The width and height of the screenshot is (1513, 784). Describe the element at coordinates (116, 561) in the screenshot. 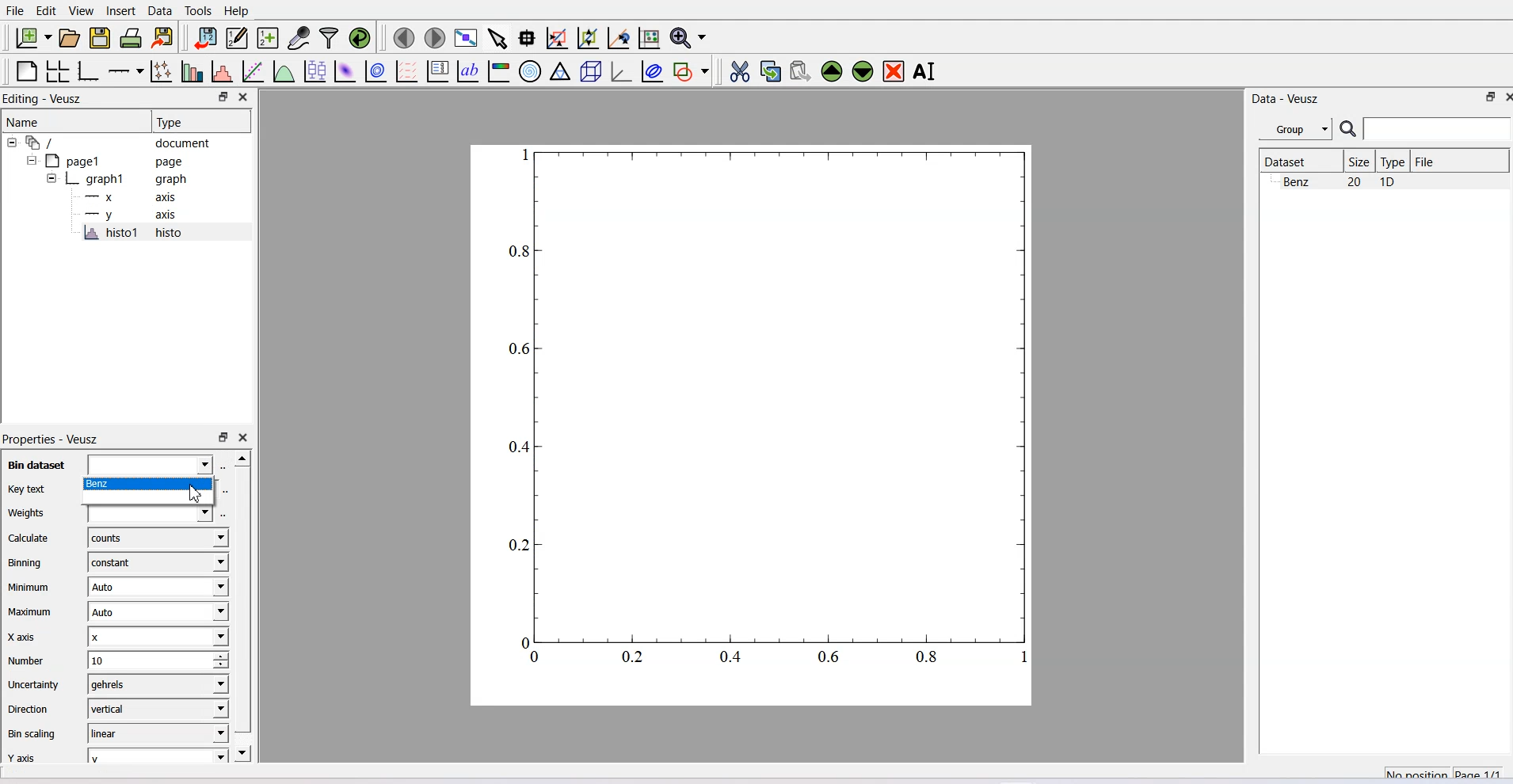

I see `Binning - constant` at that location.